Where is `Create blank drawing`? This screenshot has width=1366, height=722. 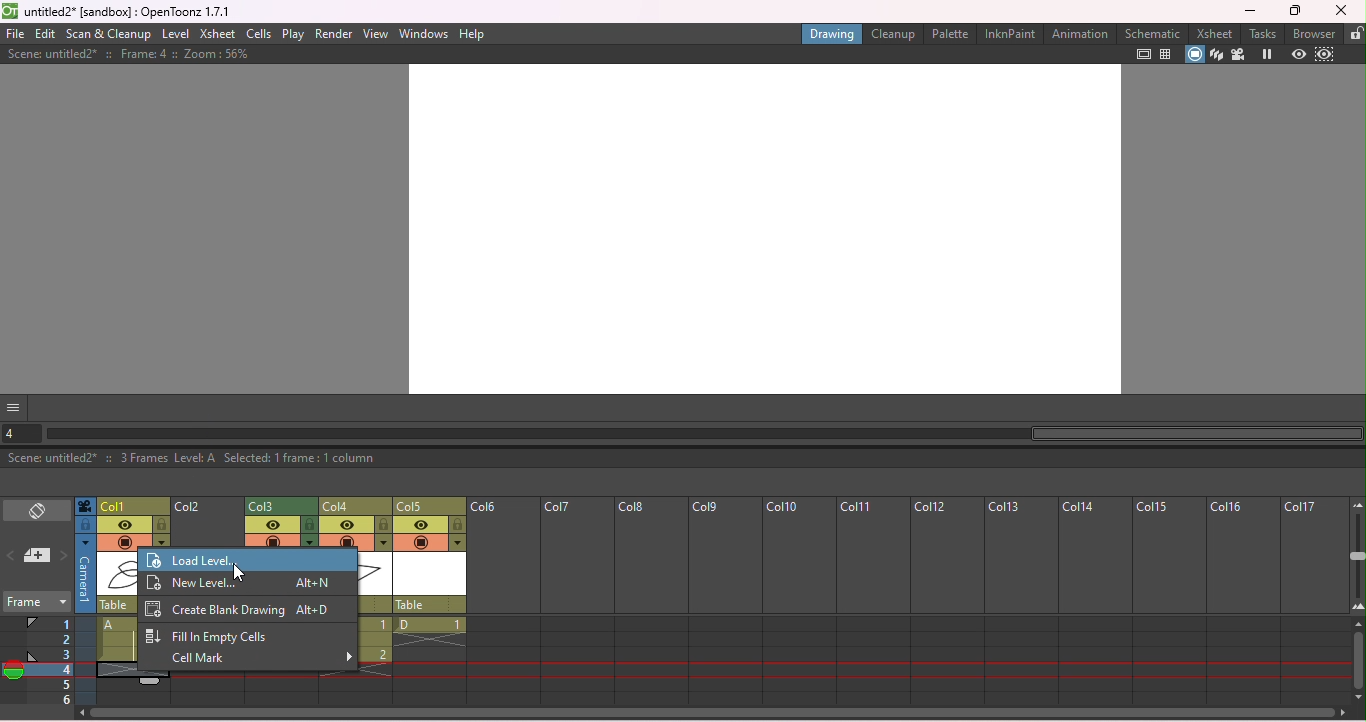 Create blank drawing is located at coordinates (245, 610).